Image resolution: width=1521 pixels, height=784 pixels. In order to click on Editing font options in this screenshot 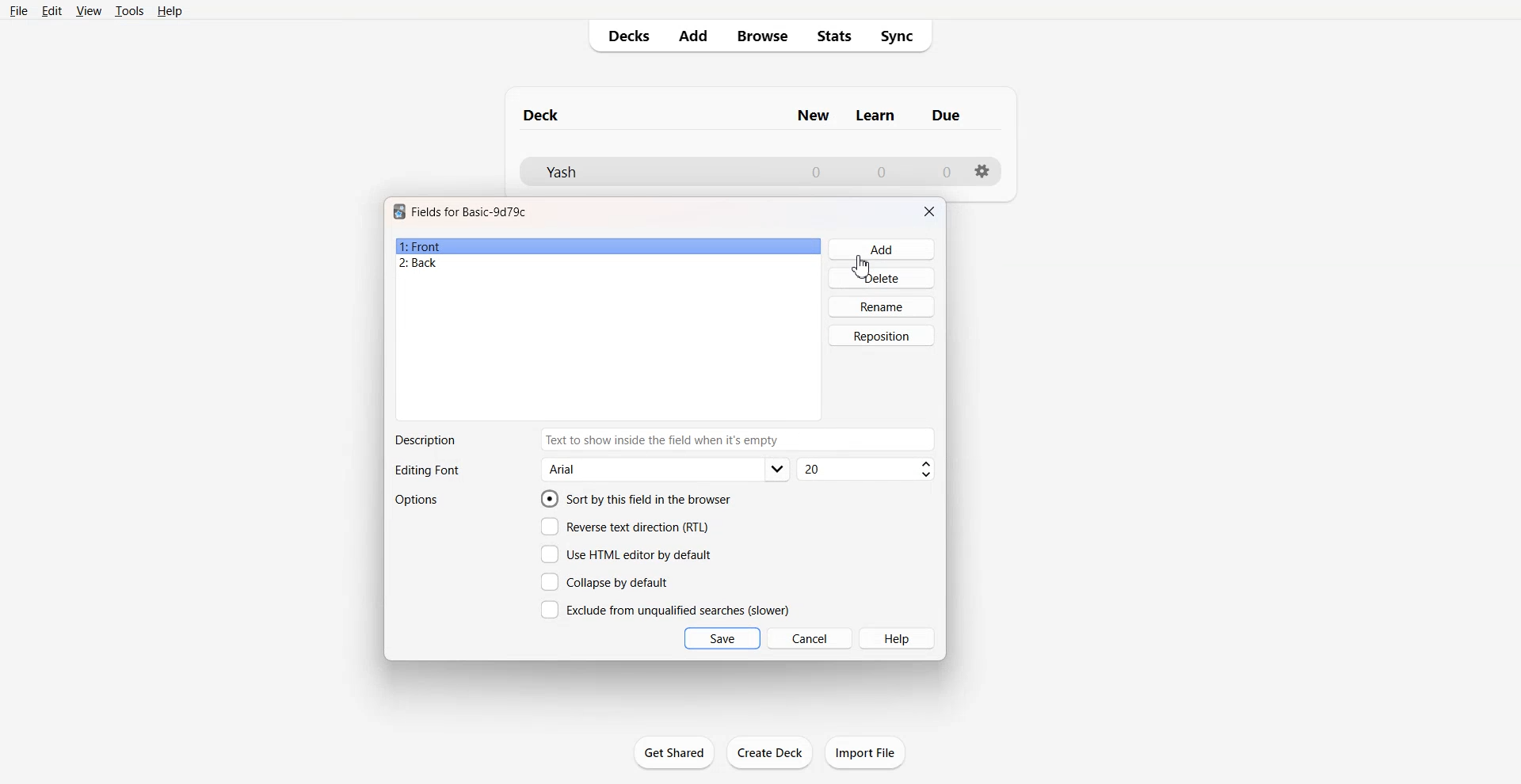, I will do `click(666, 470)`.